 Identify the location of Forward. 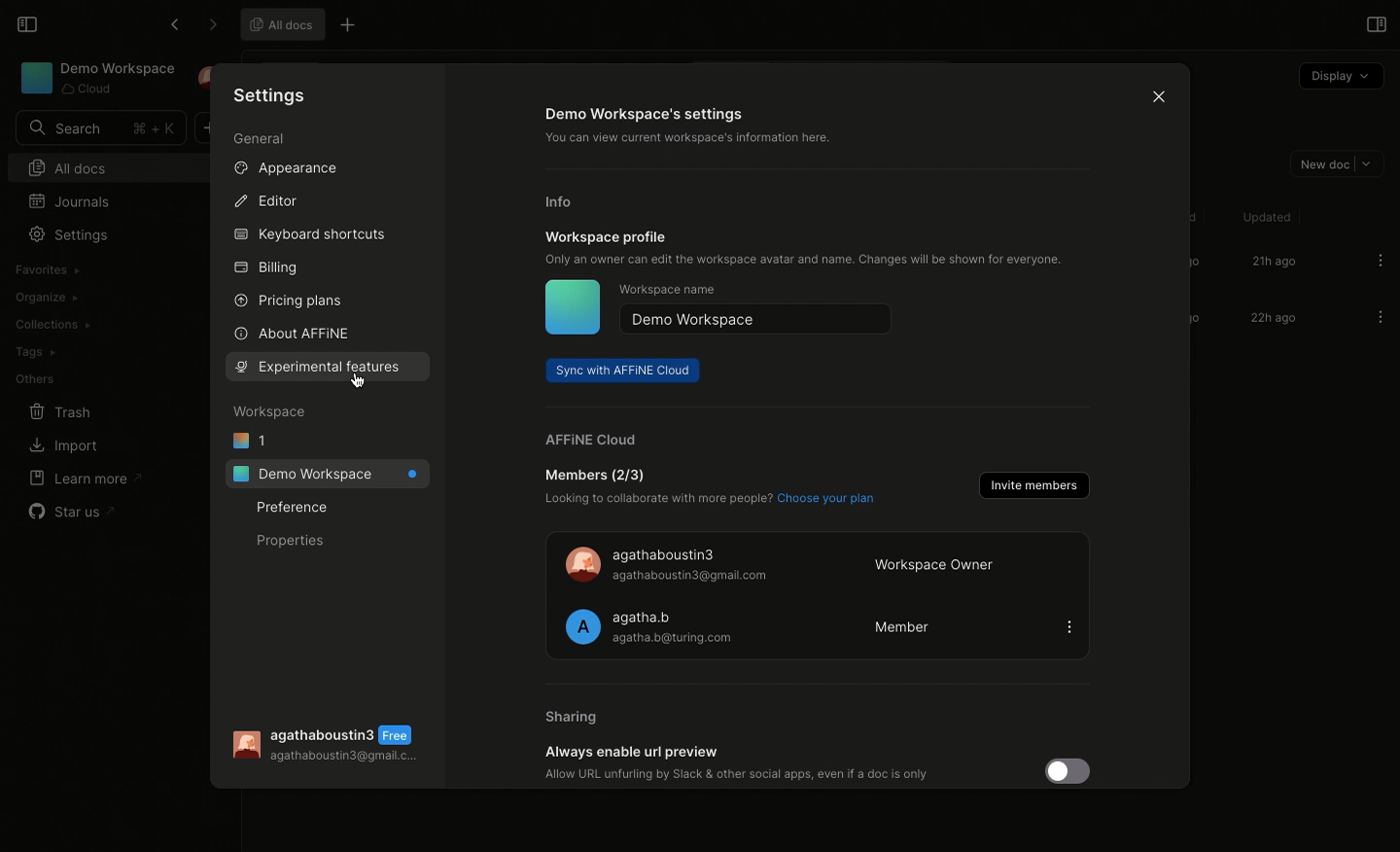
(212, 25).